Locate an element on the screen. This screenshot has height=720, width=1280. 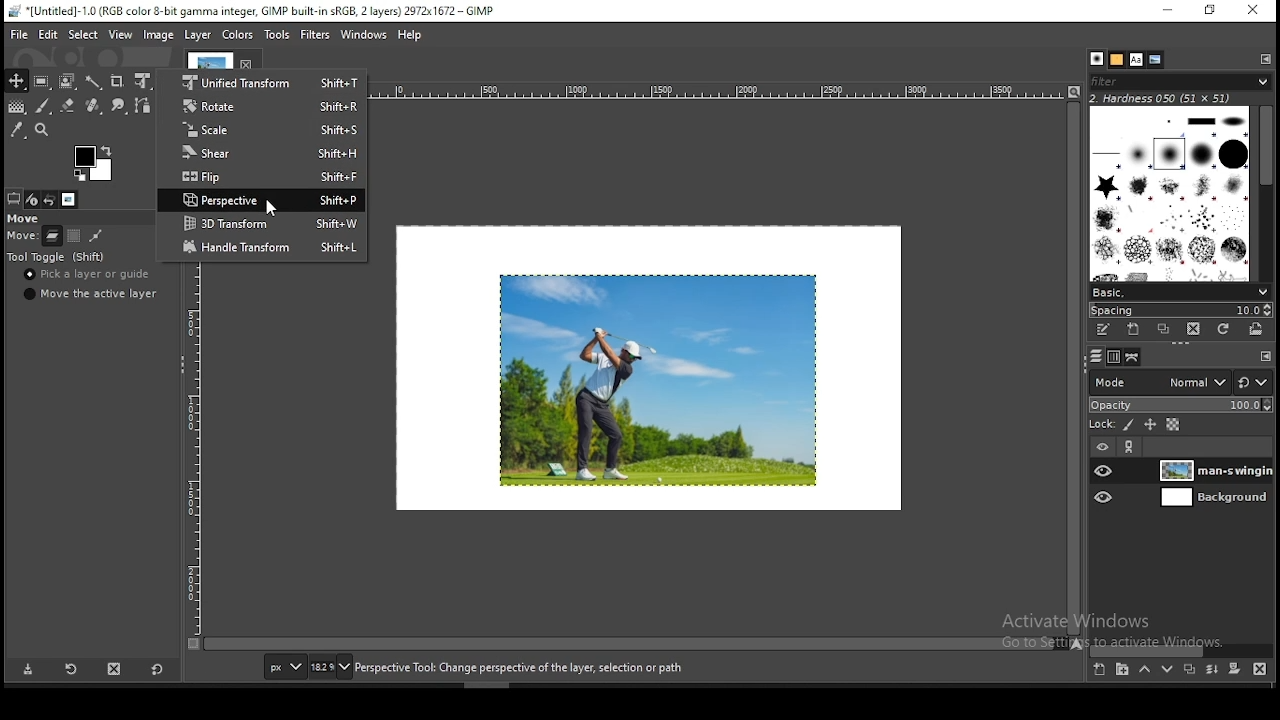
mouse pointer is located at coordinates (267, 208).